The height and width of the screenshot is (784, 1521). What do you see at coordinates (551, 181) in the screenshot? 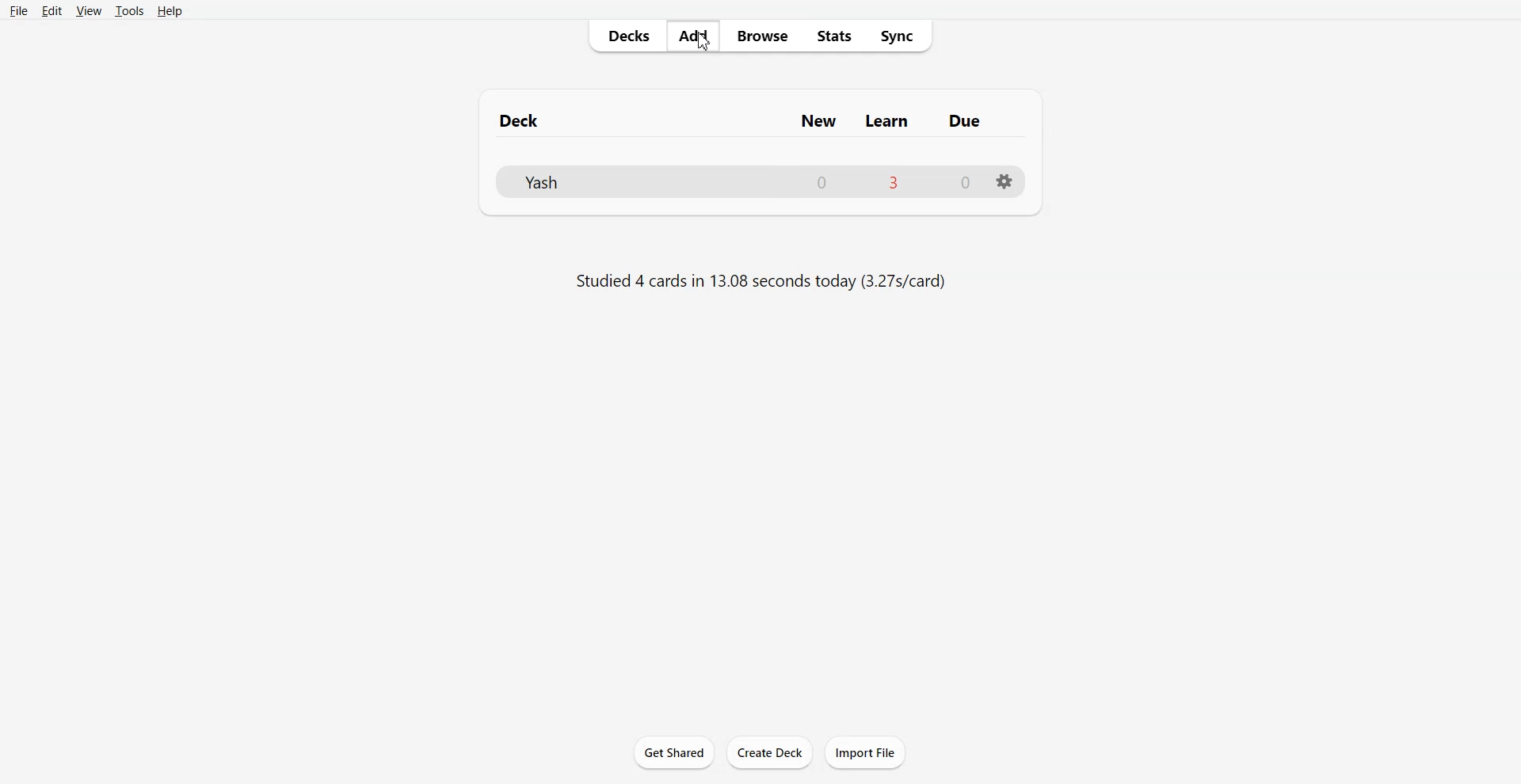
I see `Deck file ` at bounding box center [551, 181].